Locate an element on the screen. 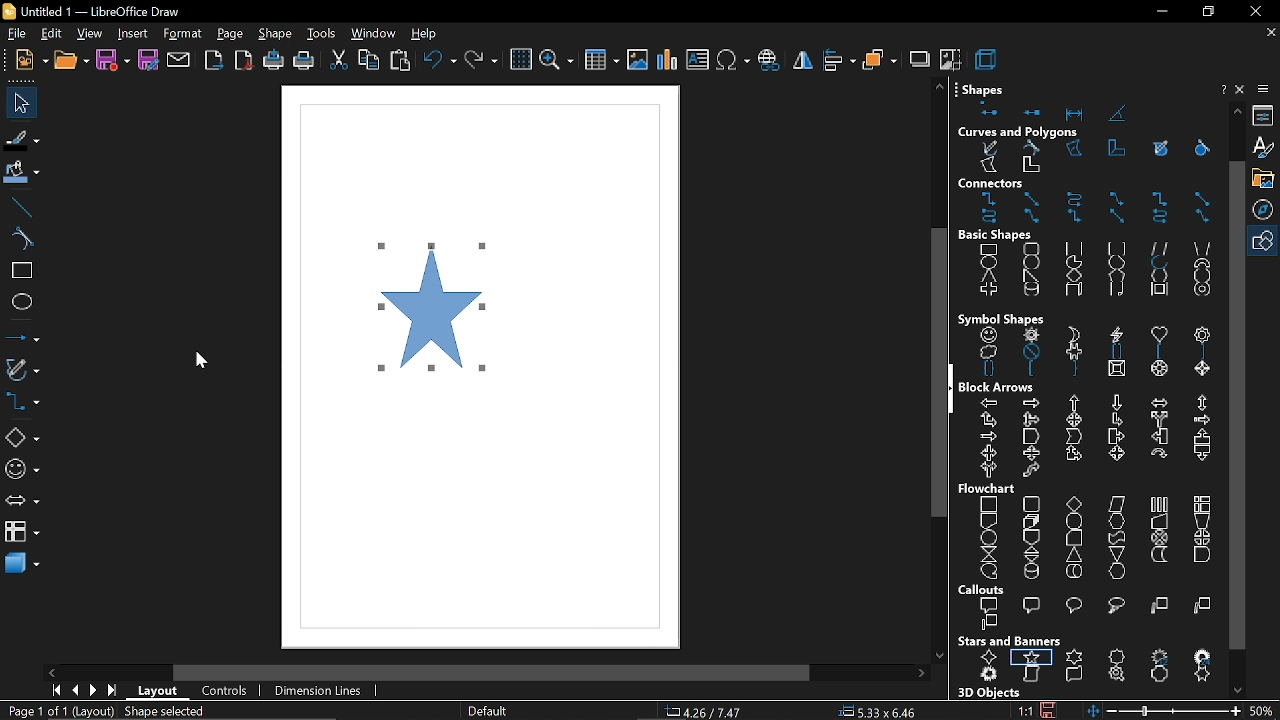  position is located at coordinates (878, 712).